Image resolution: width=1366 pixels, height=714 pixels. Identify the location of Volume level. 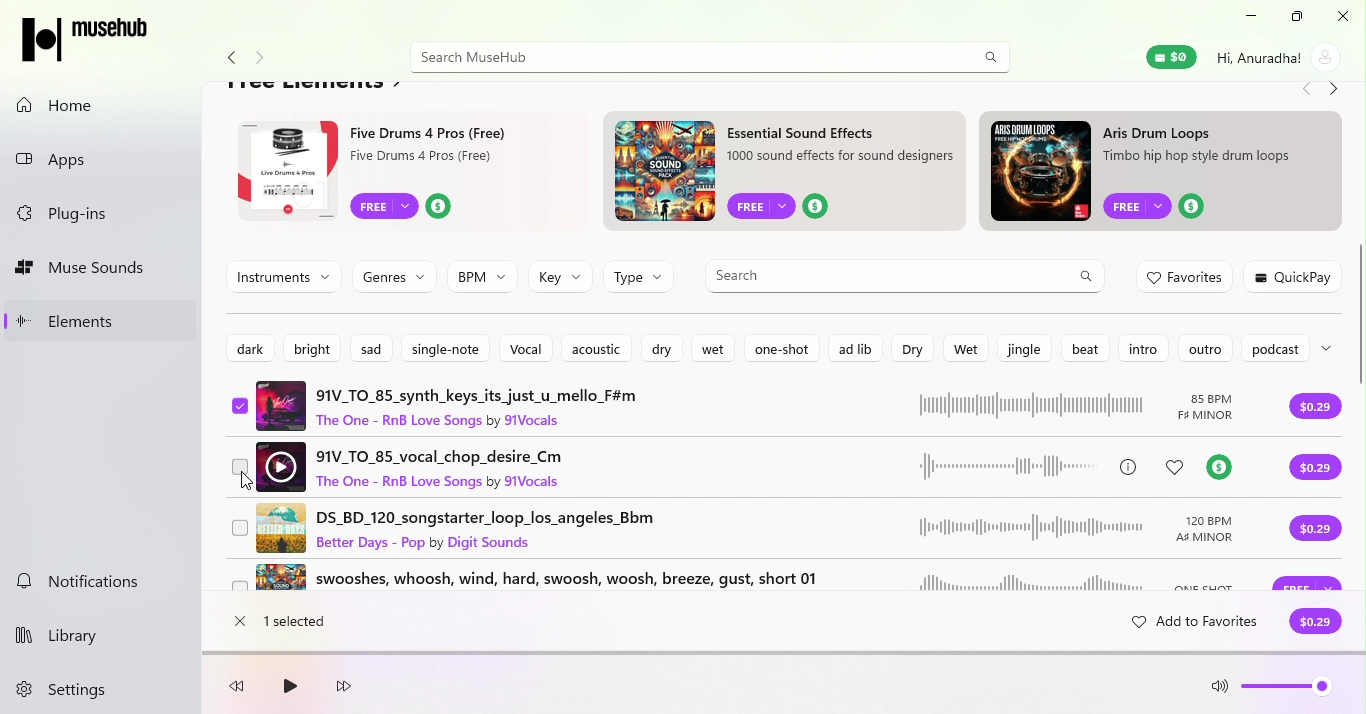
(1289, 691).